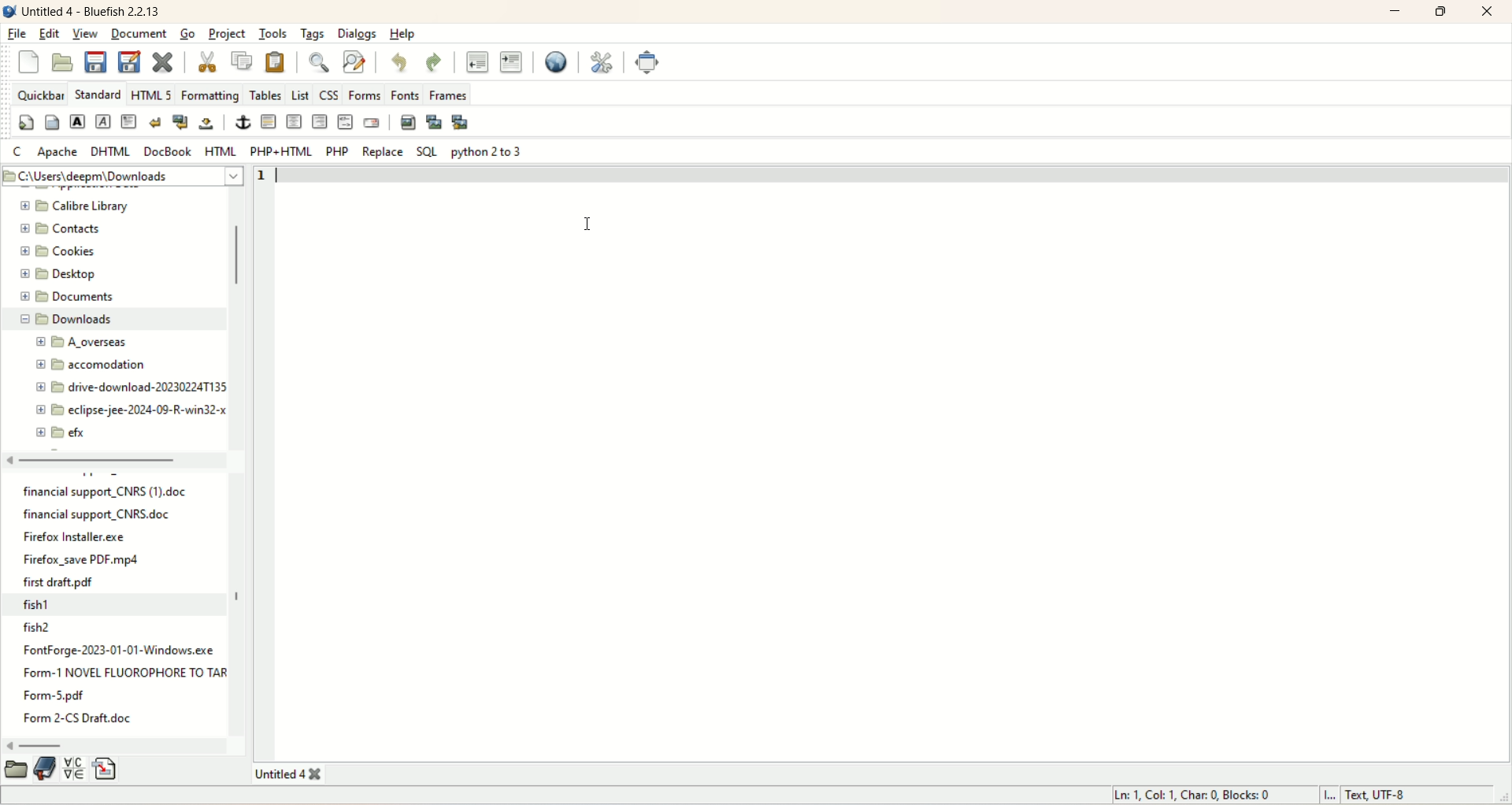  I want to click on document, so click(139, 33).